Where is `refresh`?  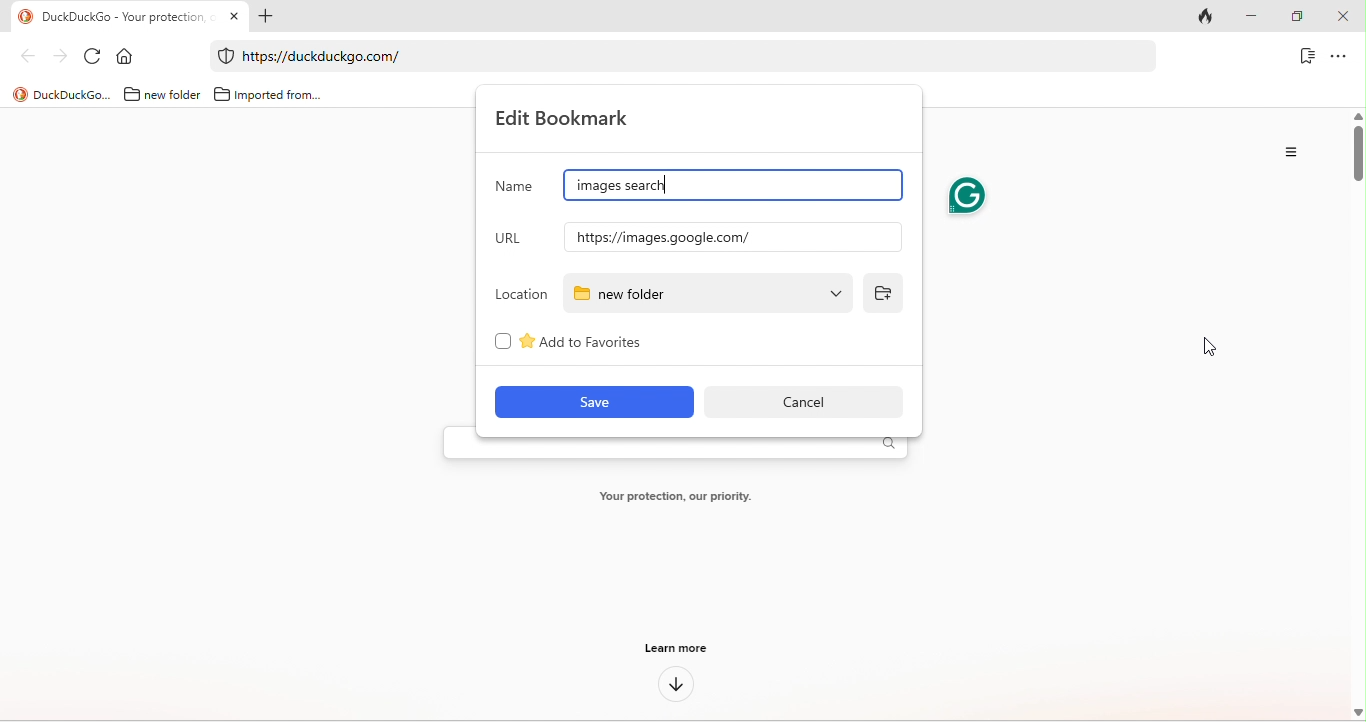
refresh is located at coordinates (92, 55).